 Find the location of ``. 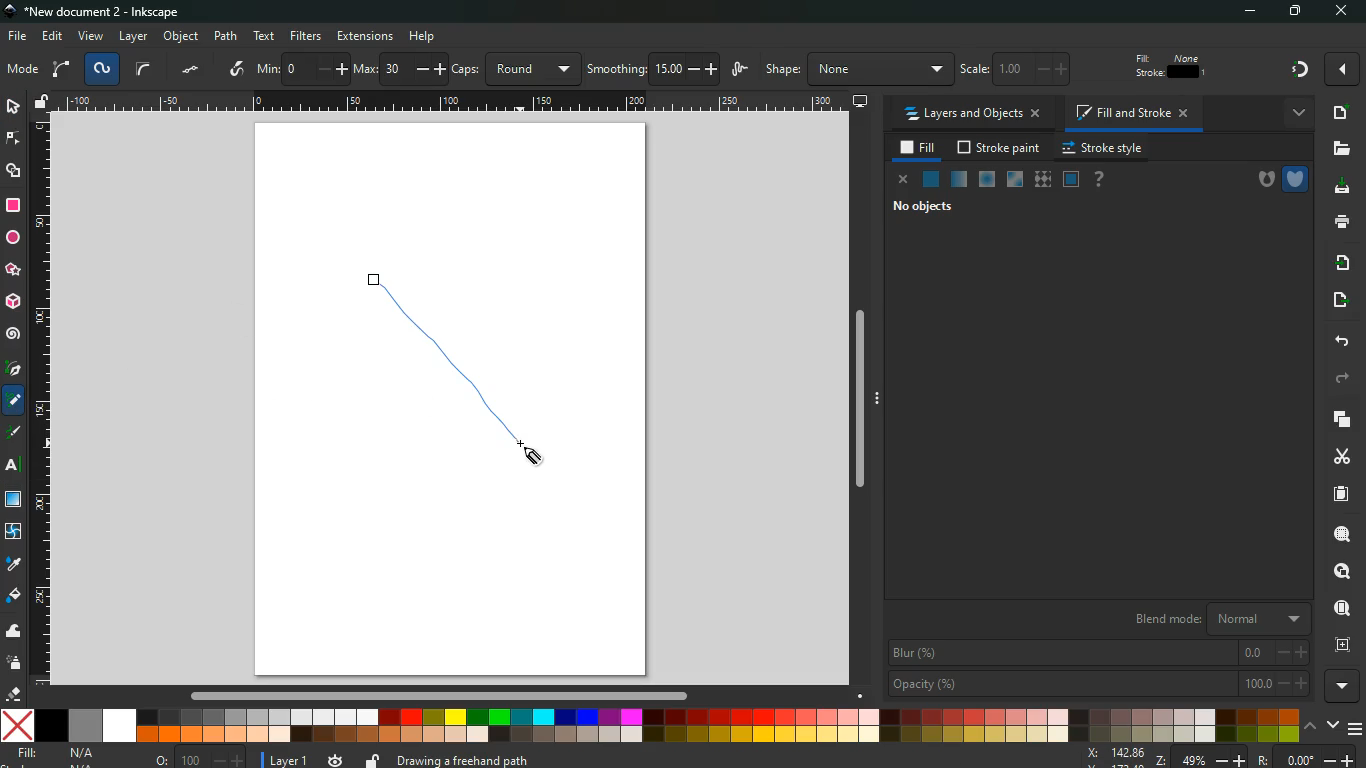

 is located at coordinates (1338, 71).